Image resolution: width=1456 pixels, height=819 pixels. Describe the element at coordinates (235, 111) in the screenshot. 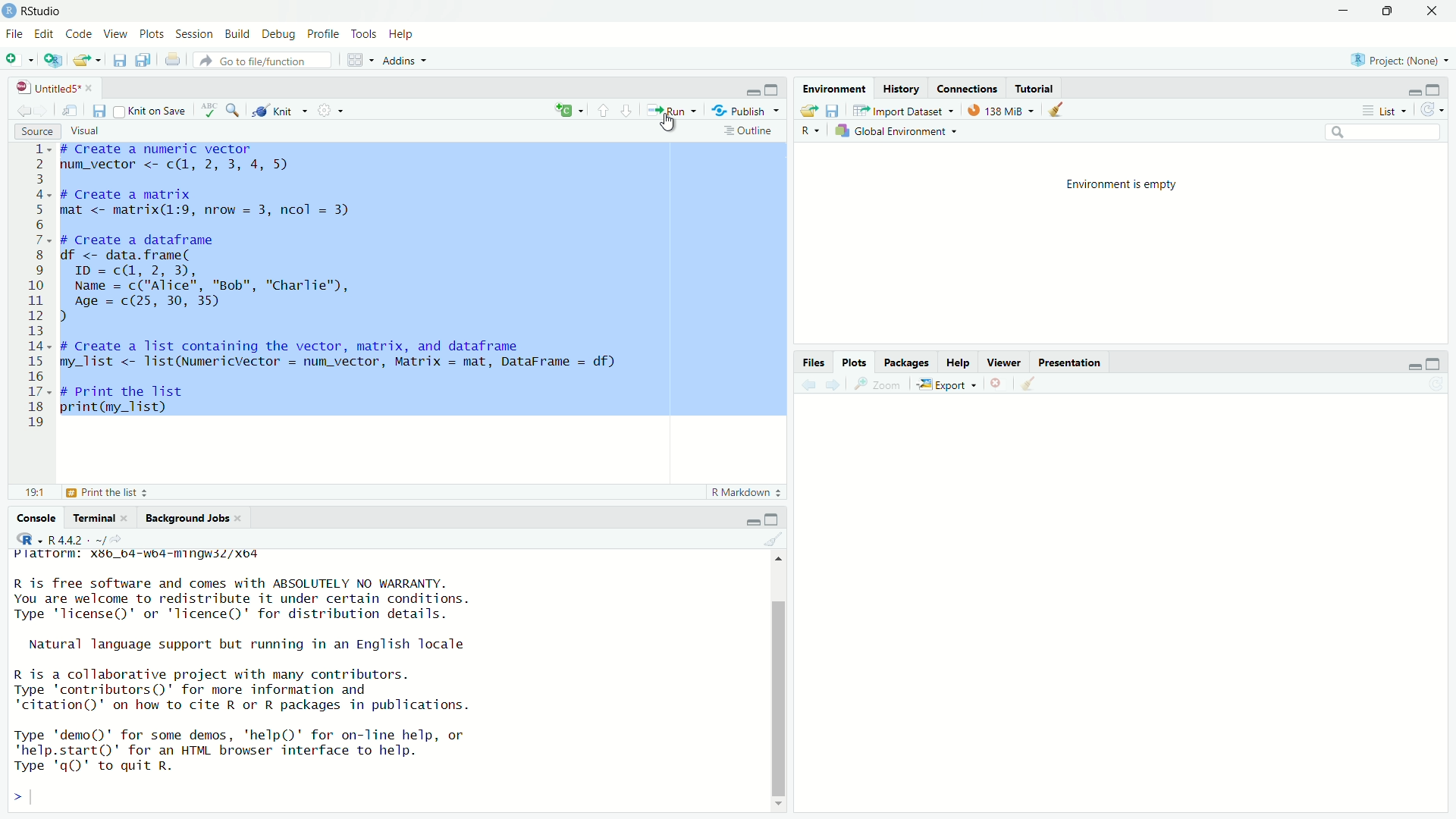

I see `search` at that location.